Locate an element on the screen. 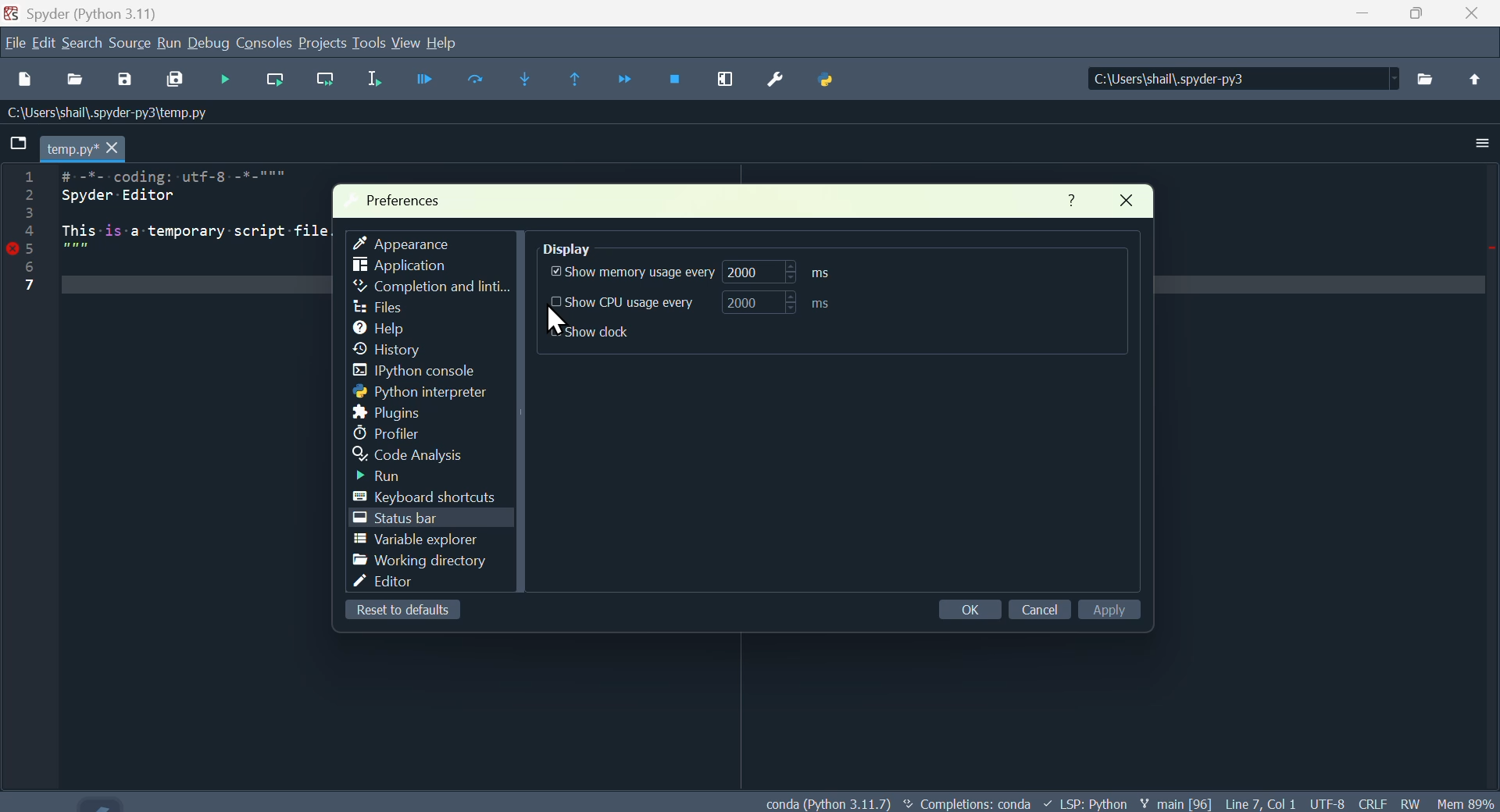  Stop debugging is located at coordinates (675, 76).